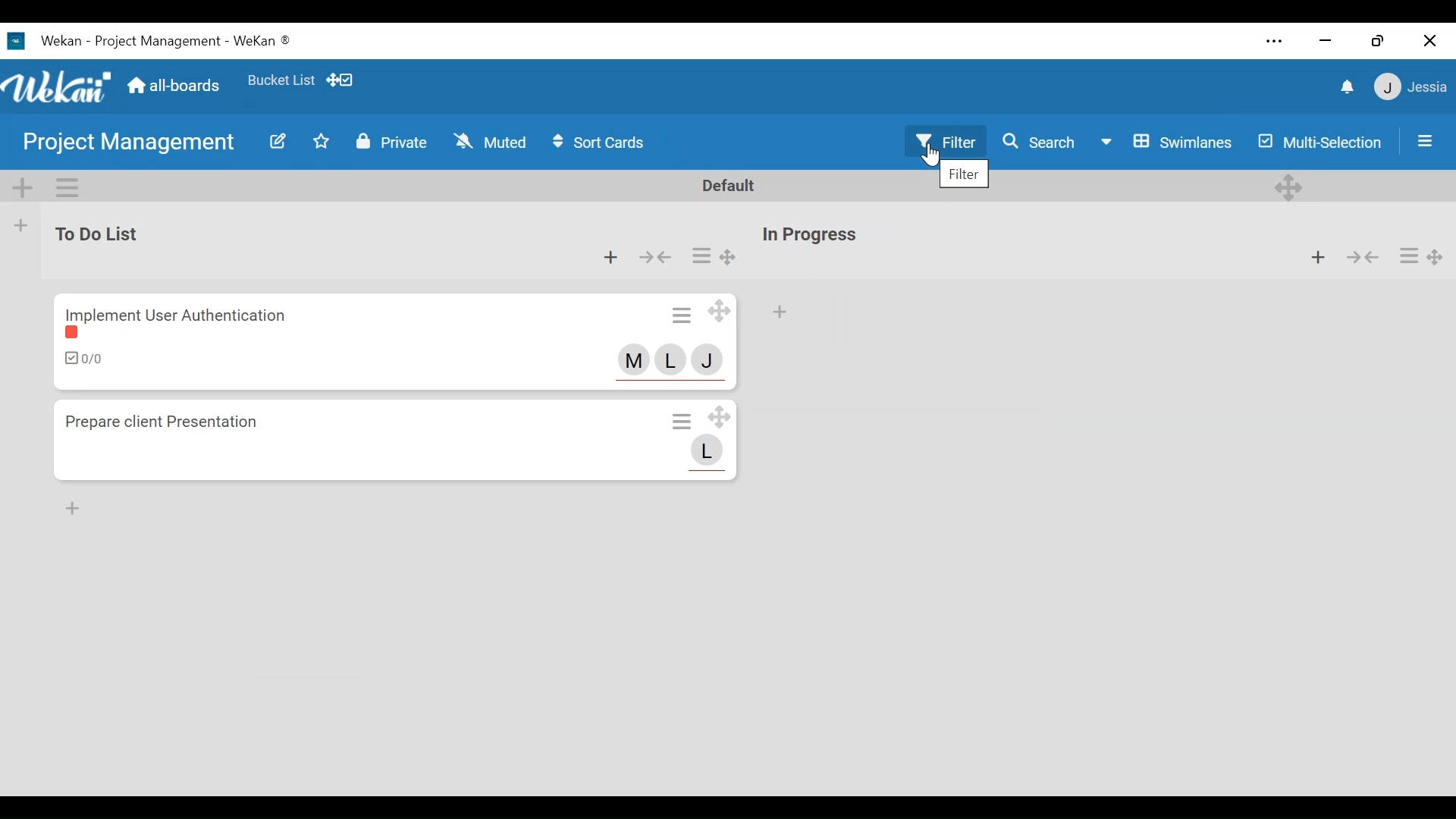 The height and width of the screenshot is (819, 1456). I want to click on Muted, so click(489, 140).